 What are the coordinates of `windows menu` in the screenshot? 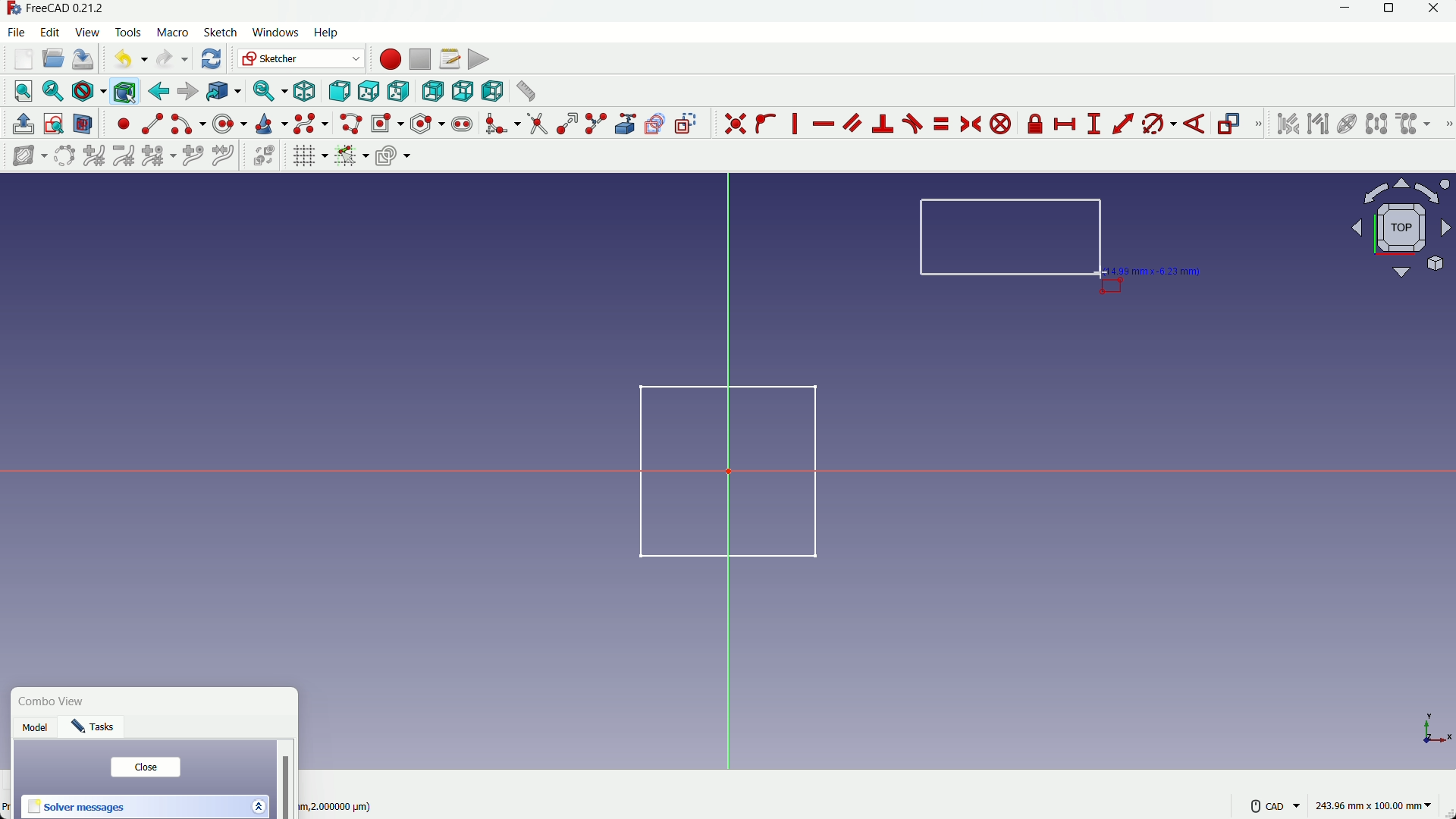 It's located at (275, 33).